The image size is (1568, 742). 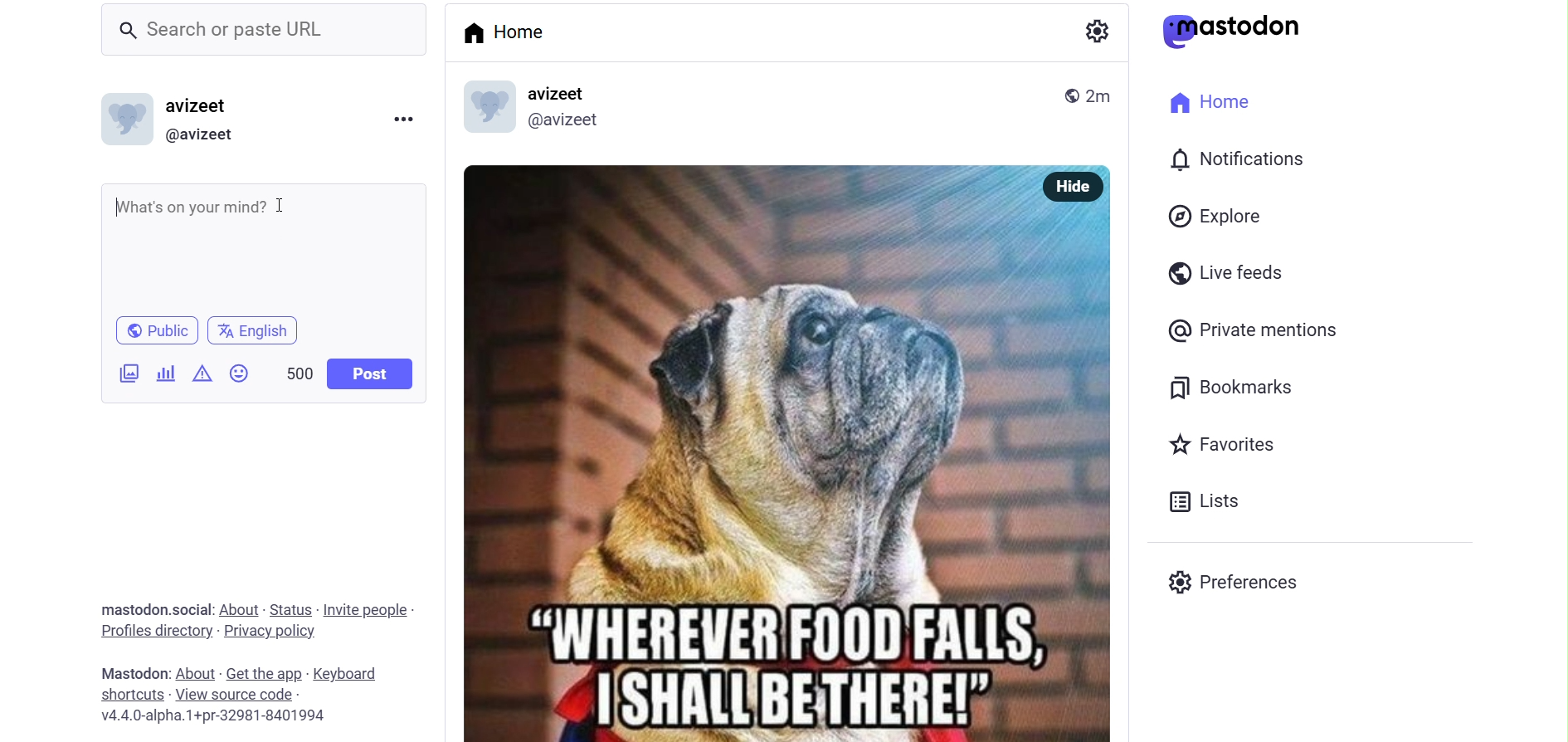 What do you see at coordinates (352, 673) in the screenshot?
I see `keyboard` at bounding box center [352, 673].